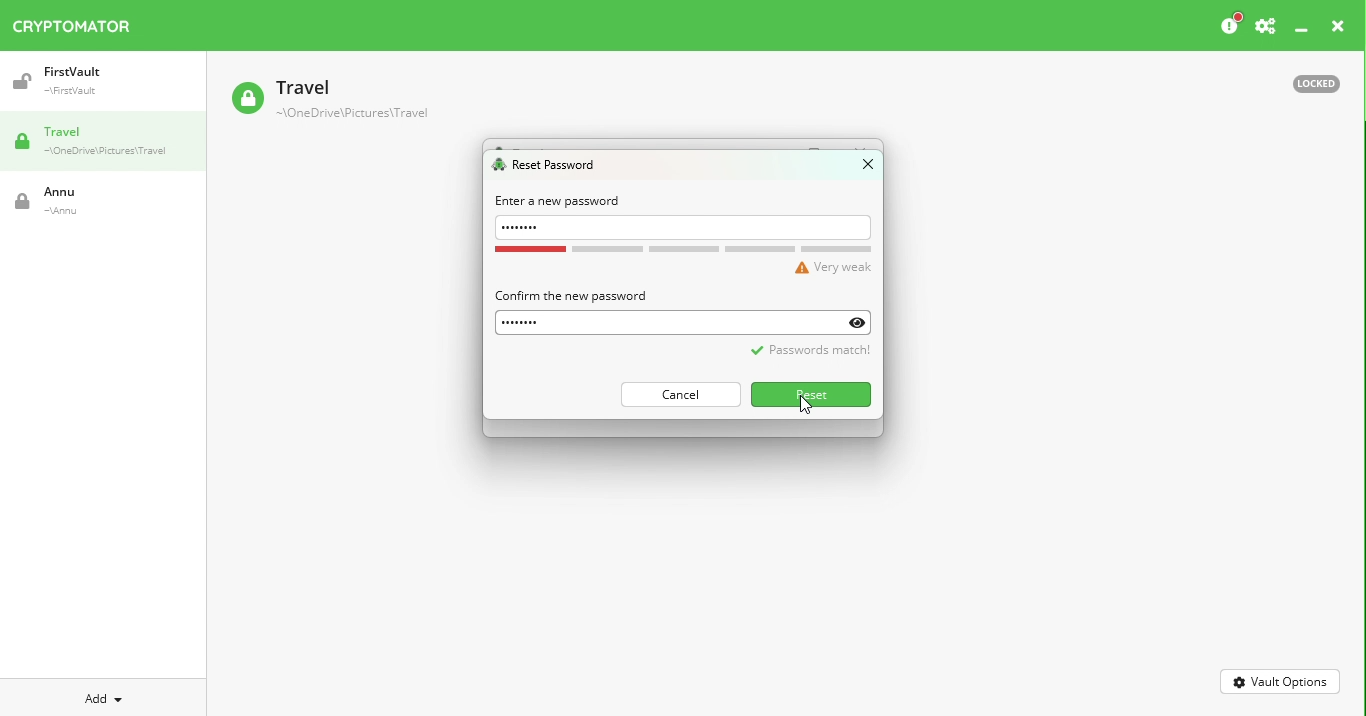  Describe the element at coordinates (1265, 27) in the screenshot. I see `Preferences` at that location.